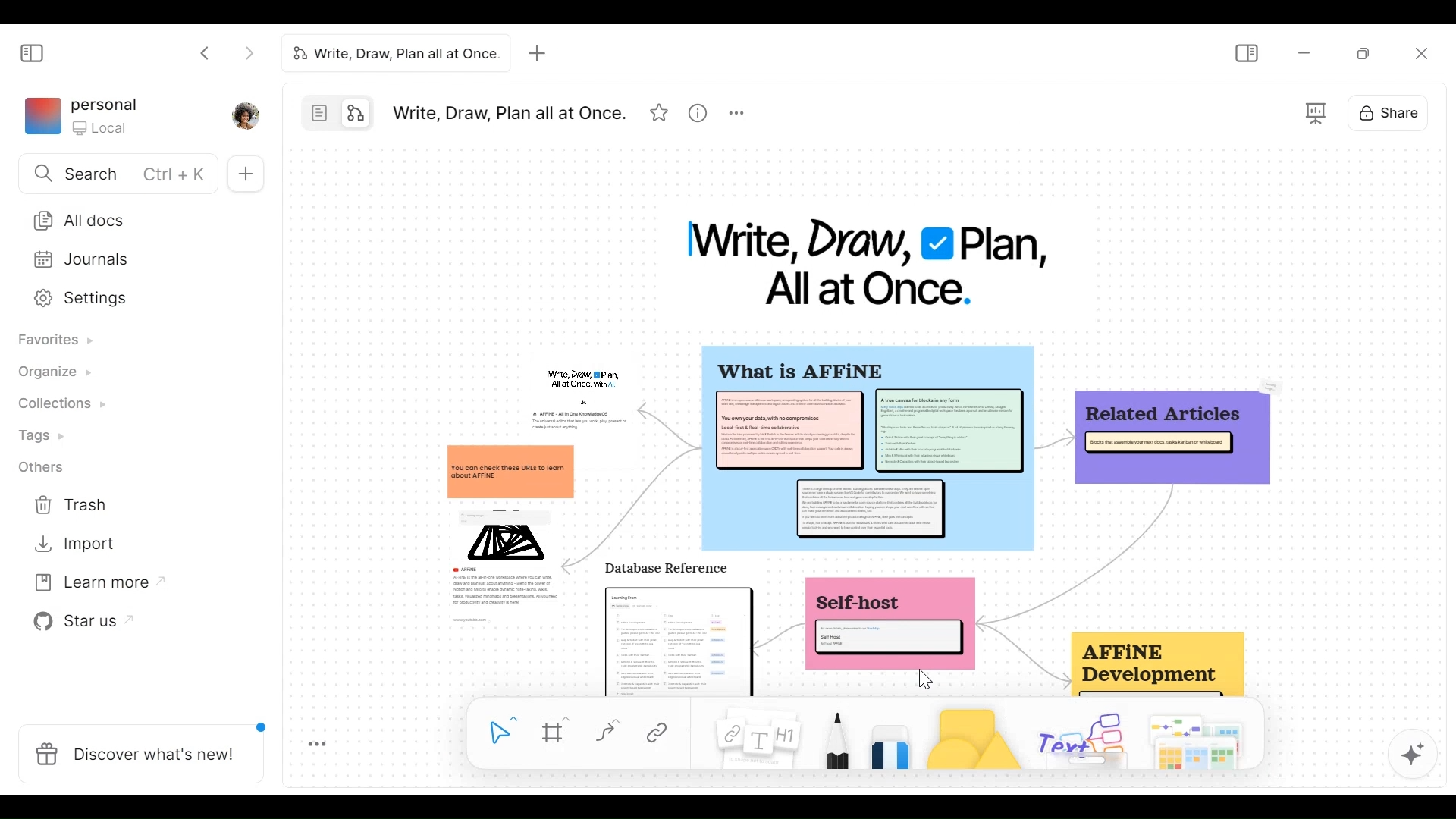 This screenshot has height=819, width=1456. I want to click on Trash, so click(67, 507).